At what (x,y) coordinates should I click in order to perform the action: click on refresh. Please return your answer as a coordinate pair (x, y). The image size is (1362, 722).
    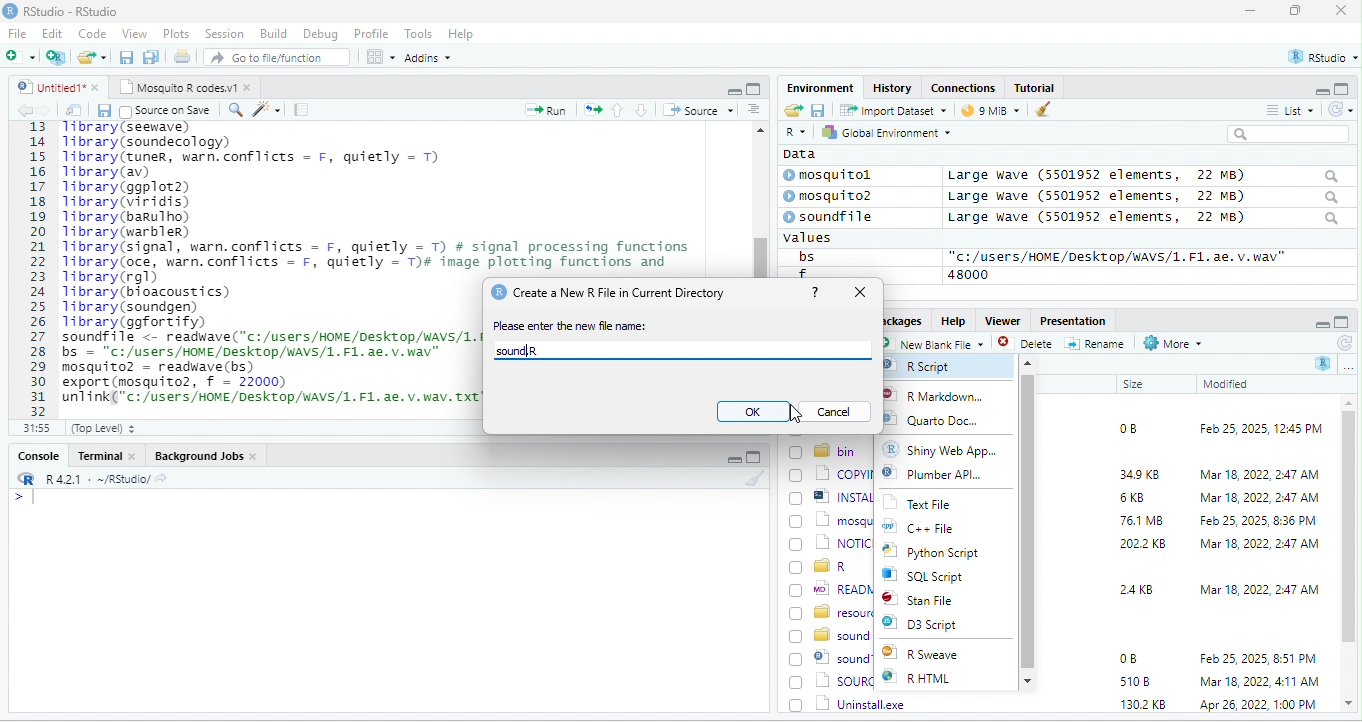
    Looking at the image, I should click on (1343, 343).